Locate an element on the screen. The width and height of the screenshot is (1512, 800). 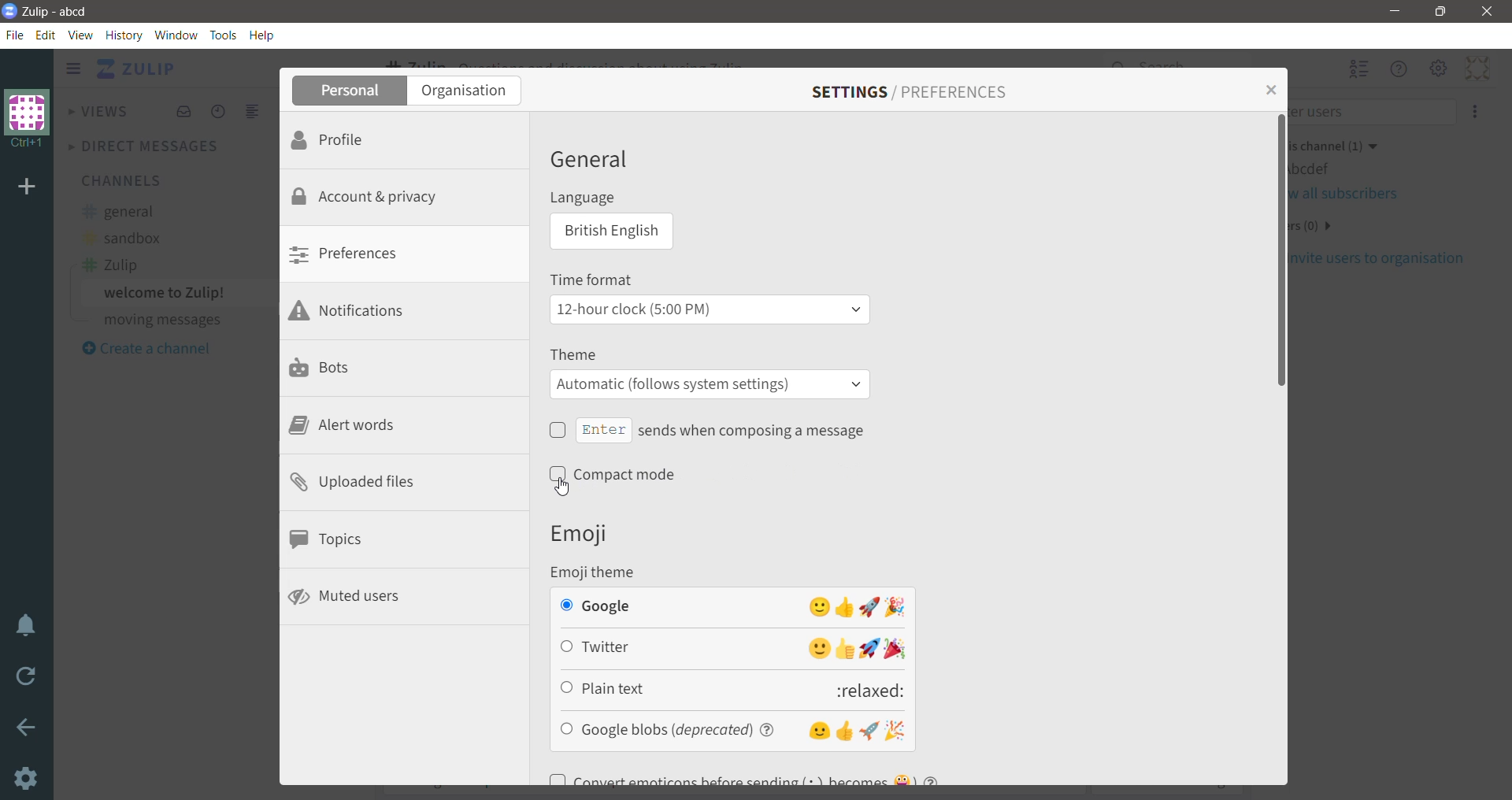
Enable Do Not Disturb is located at coordinates (27, 626).